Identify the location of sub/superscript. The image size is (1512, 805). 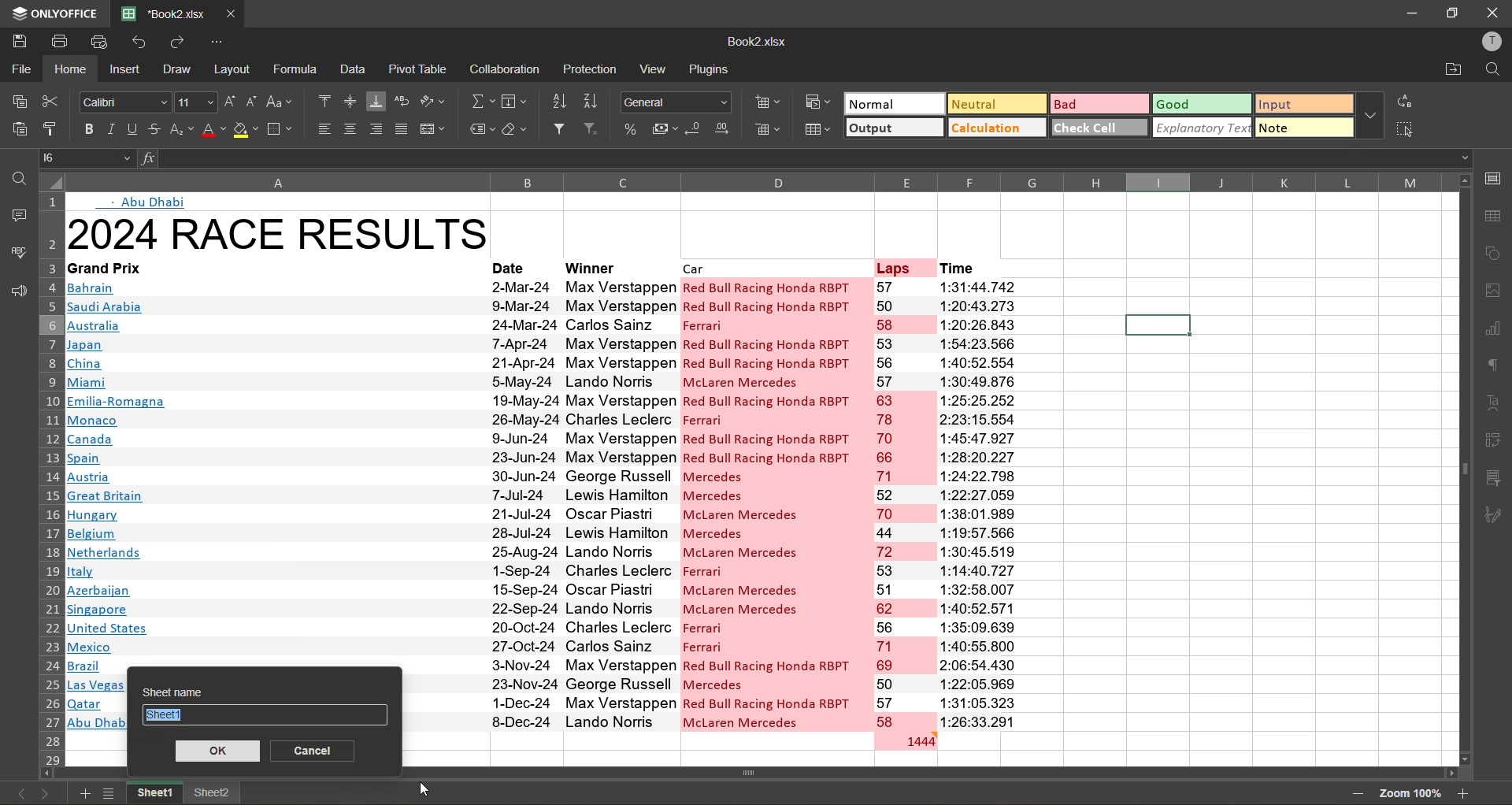
(180, 131).